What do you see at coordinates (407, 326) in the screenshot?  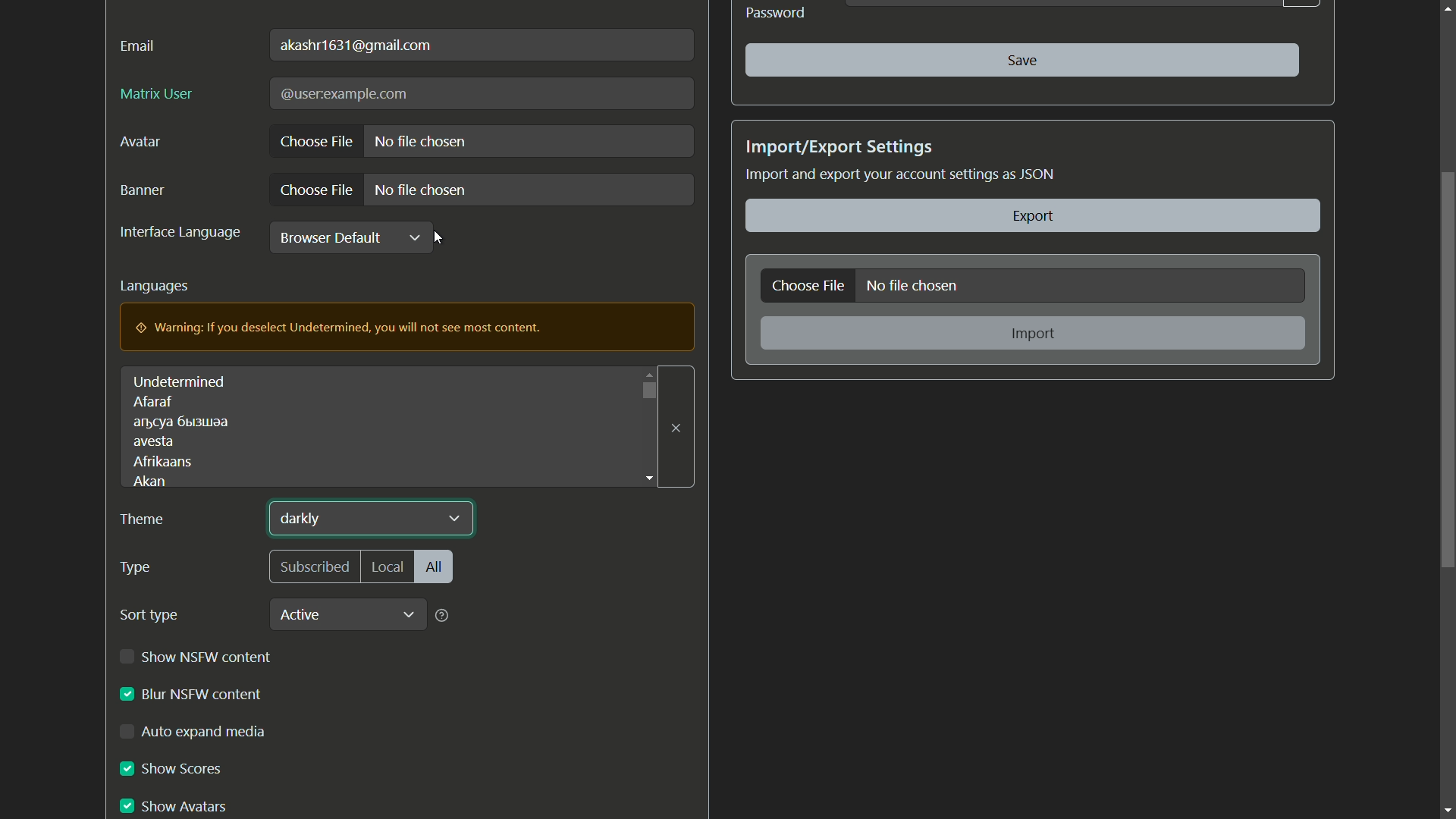 I see `warning pop` at bounding box center [407, 326].